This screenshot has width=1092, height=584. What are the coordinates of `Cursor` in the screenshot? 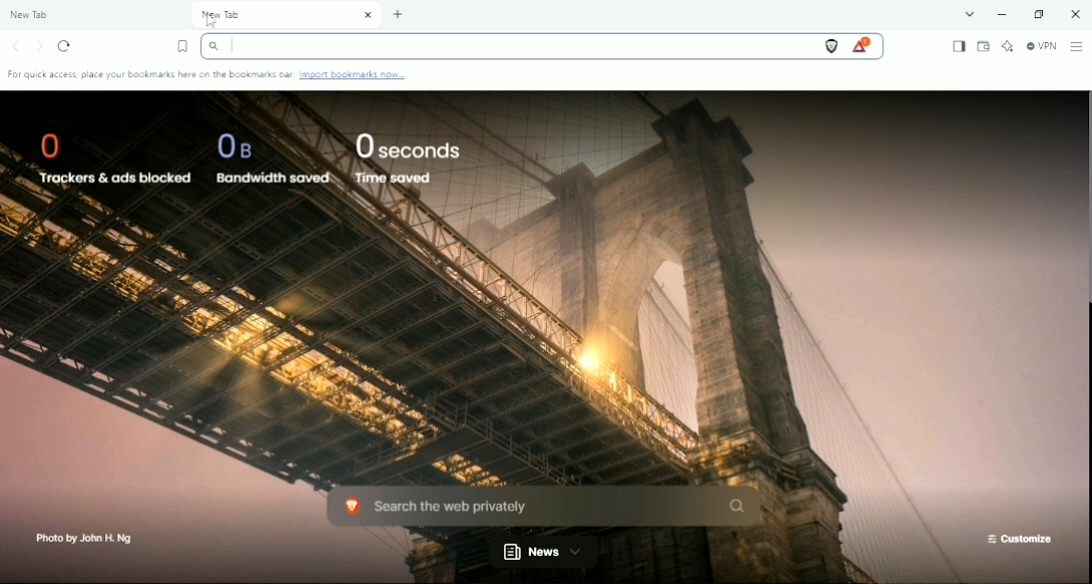 It's located at (212, 21).